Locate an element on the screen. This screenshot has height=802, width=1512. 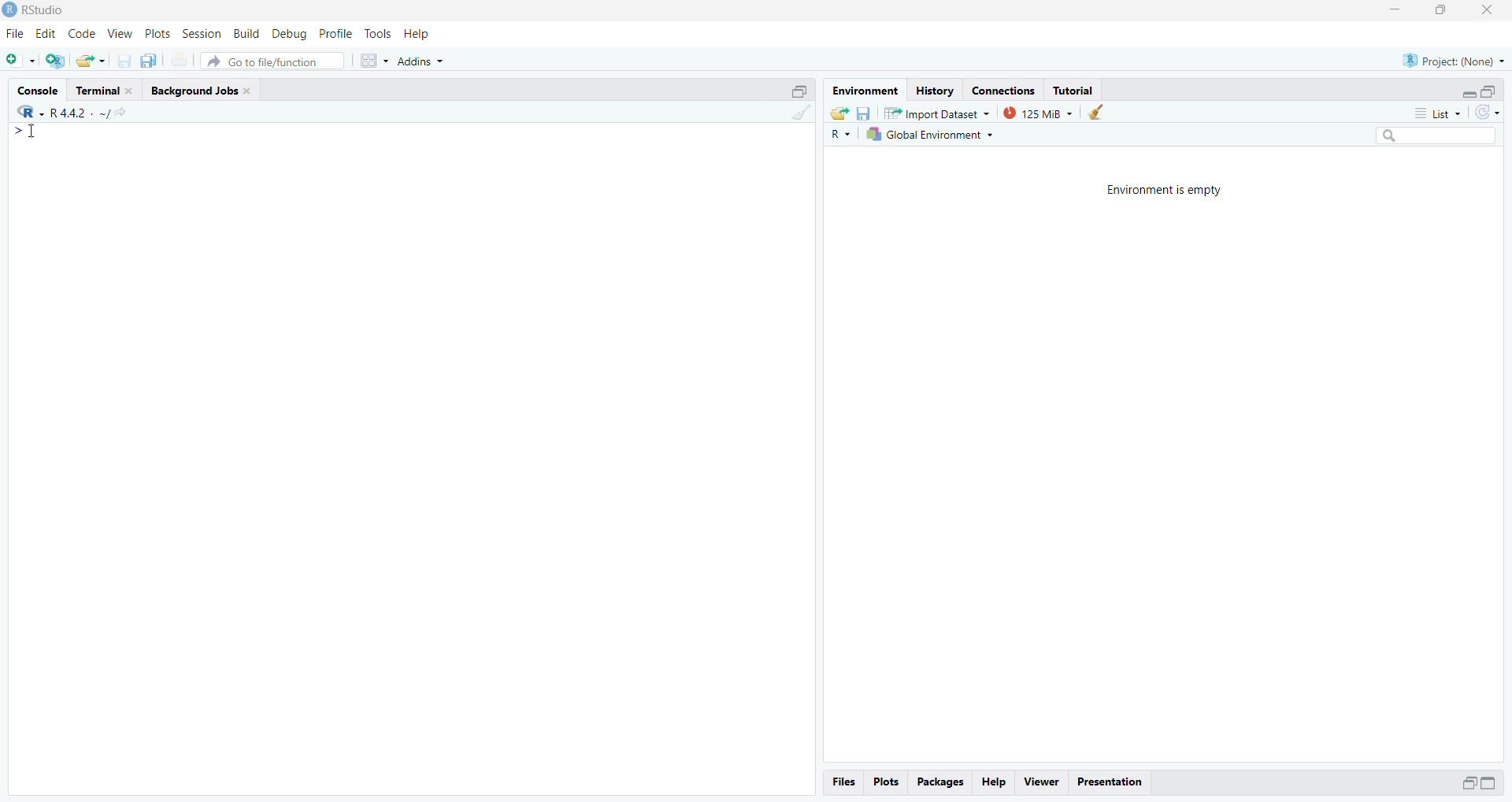
Background Jobs is located at coordinates (206, 90).